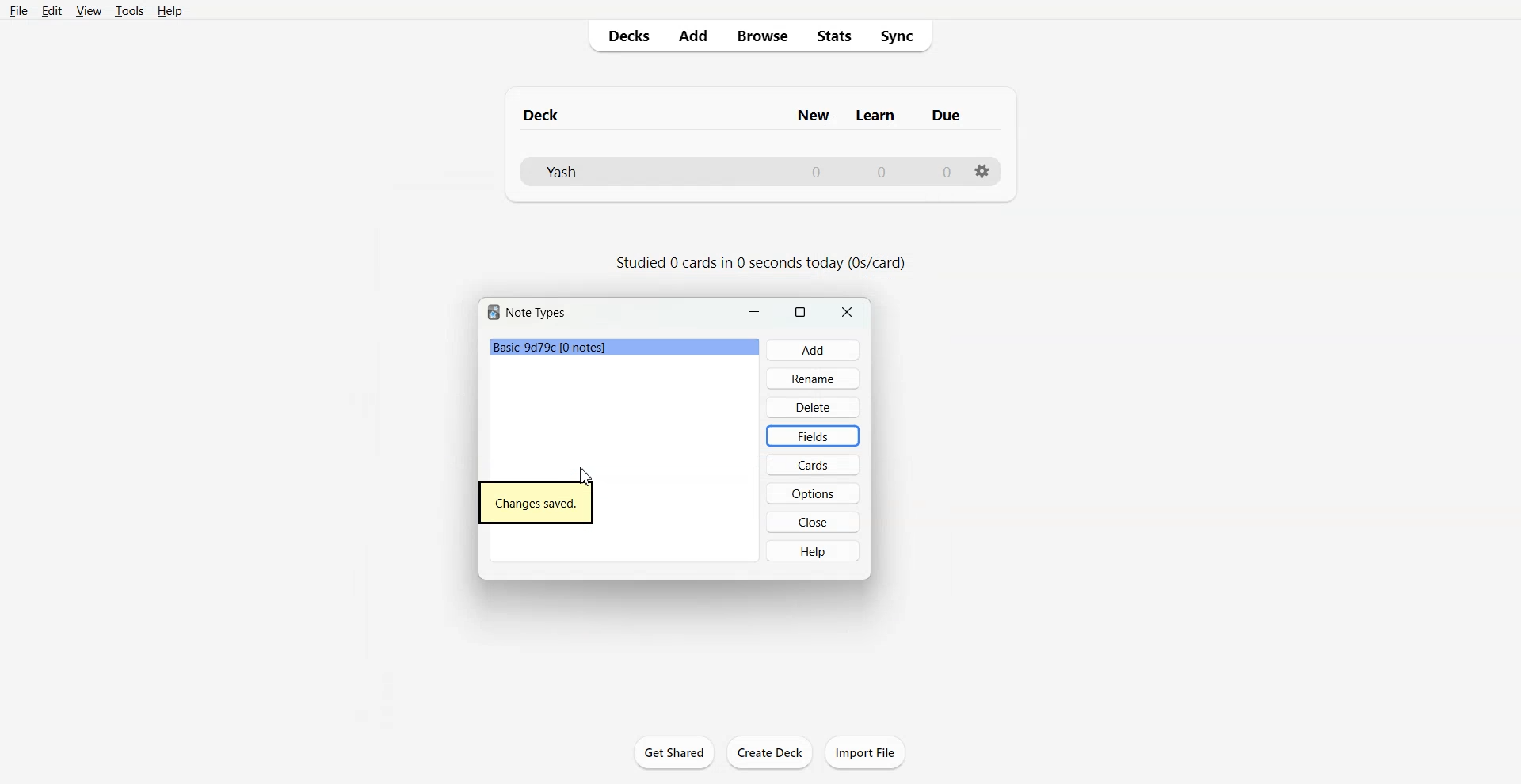 The width and height of the screenshot is (1521, 784). What do you see at coordinates (946, 115) in the screenshot?
I see `Column name` at bounding box center [946, 115].